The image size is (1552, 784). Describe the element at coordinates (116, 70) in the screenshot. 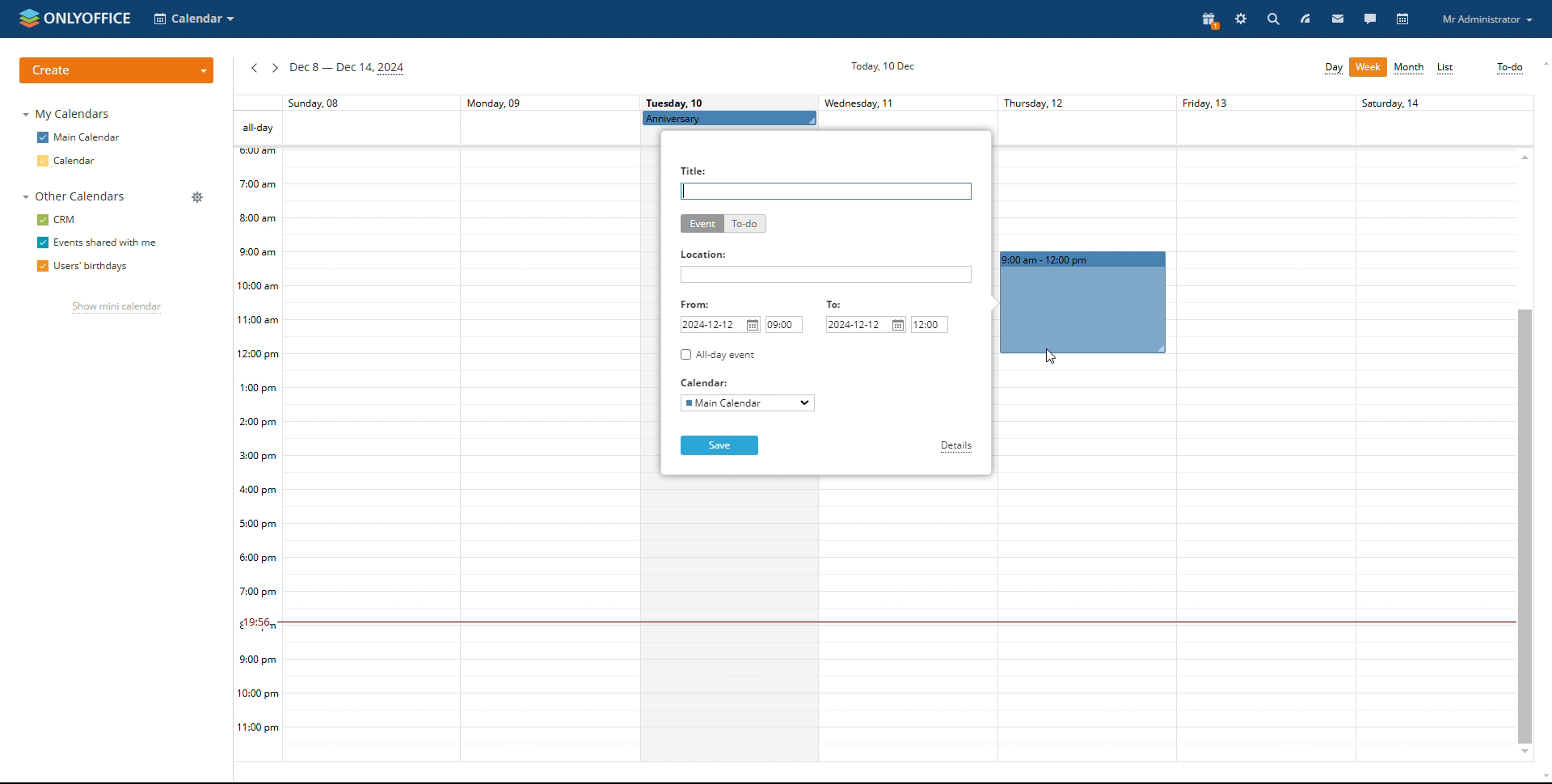

I see `create` at that location.